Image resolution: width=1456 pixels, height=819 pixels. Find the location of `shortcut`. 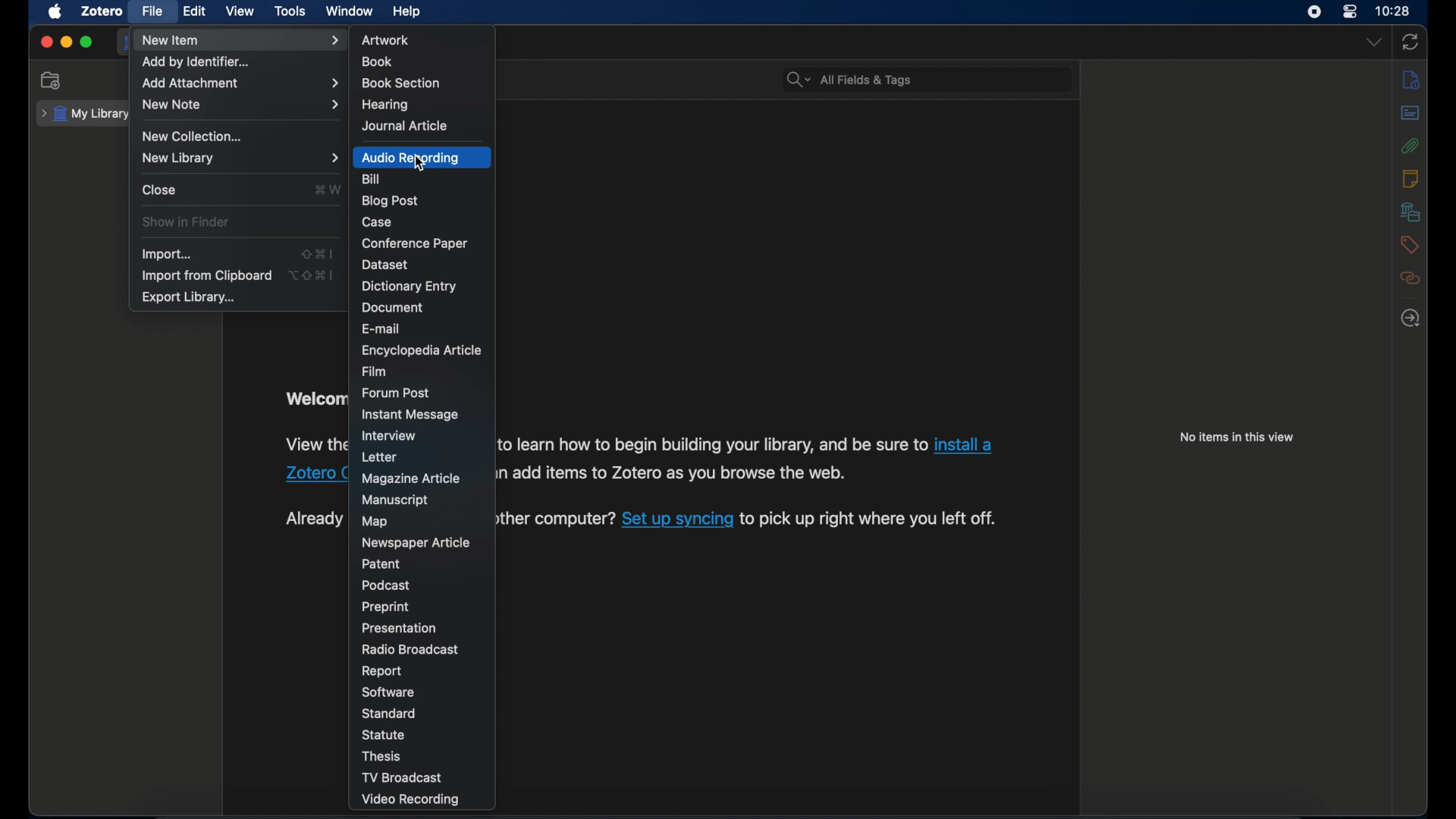

shortcut is located at coordinates (319, 253).